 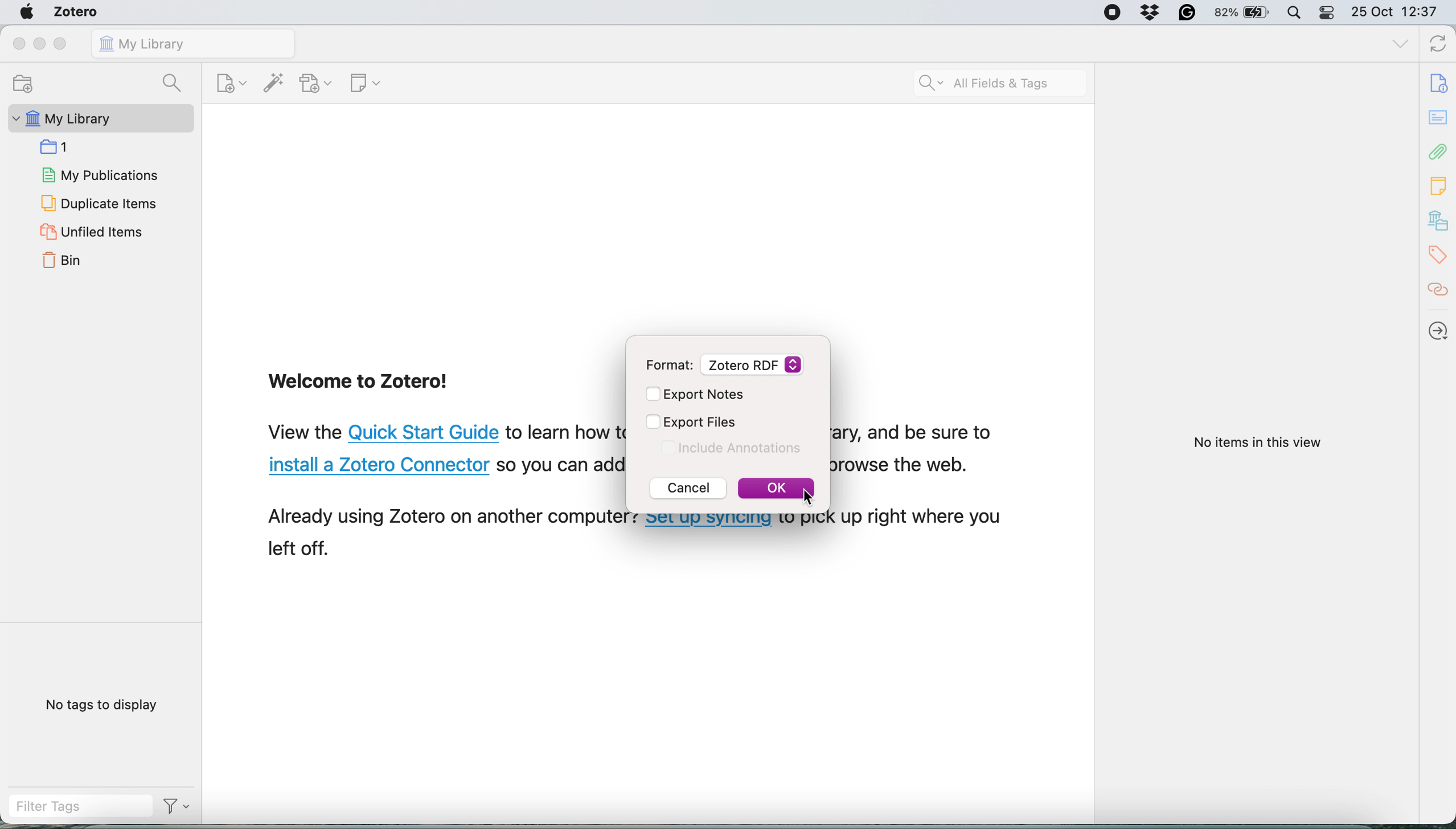 What do you see at coordinates (367, 383) in the screenshot?
I see `Welcome to Zotero!` at bounding box center [367, 383].